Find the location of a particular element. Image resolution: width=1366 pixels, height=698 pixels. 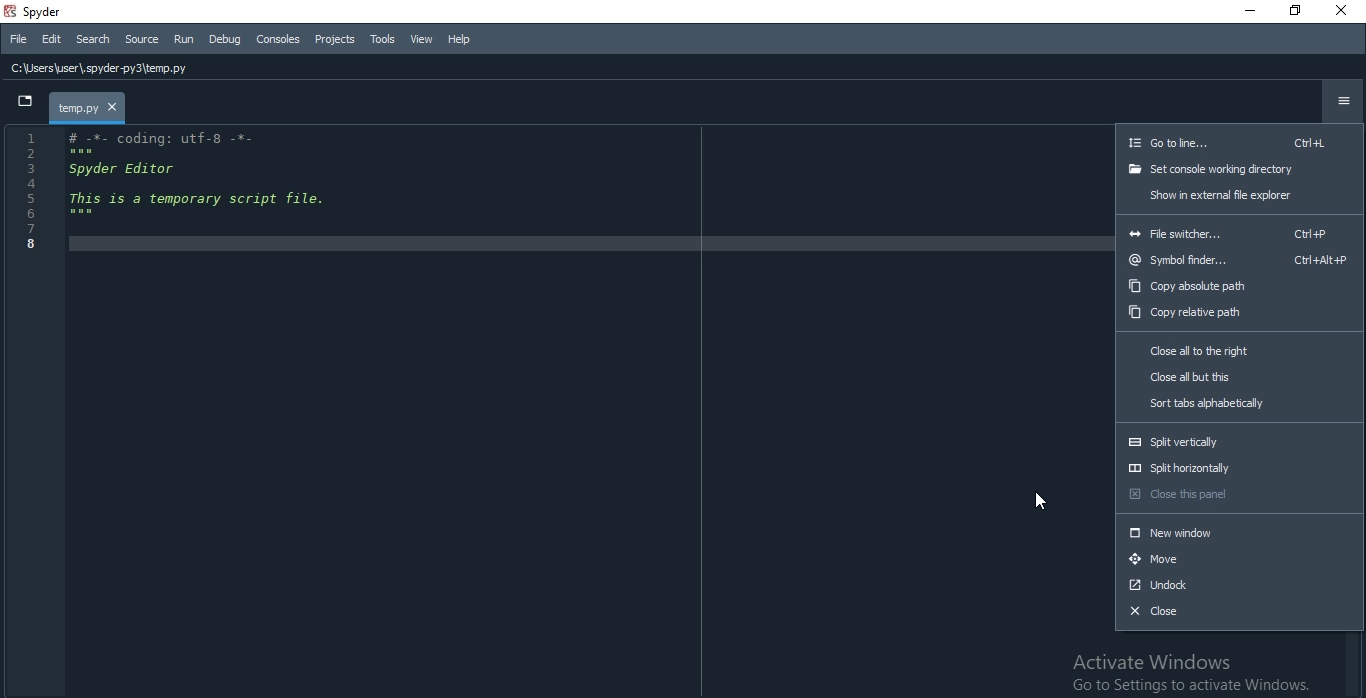

Close is located at coordinates (1344, 10).